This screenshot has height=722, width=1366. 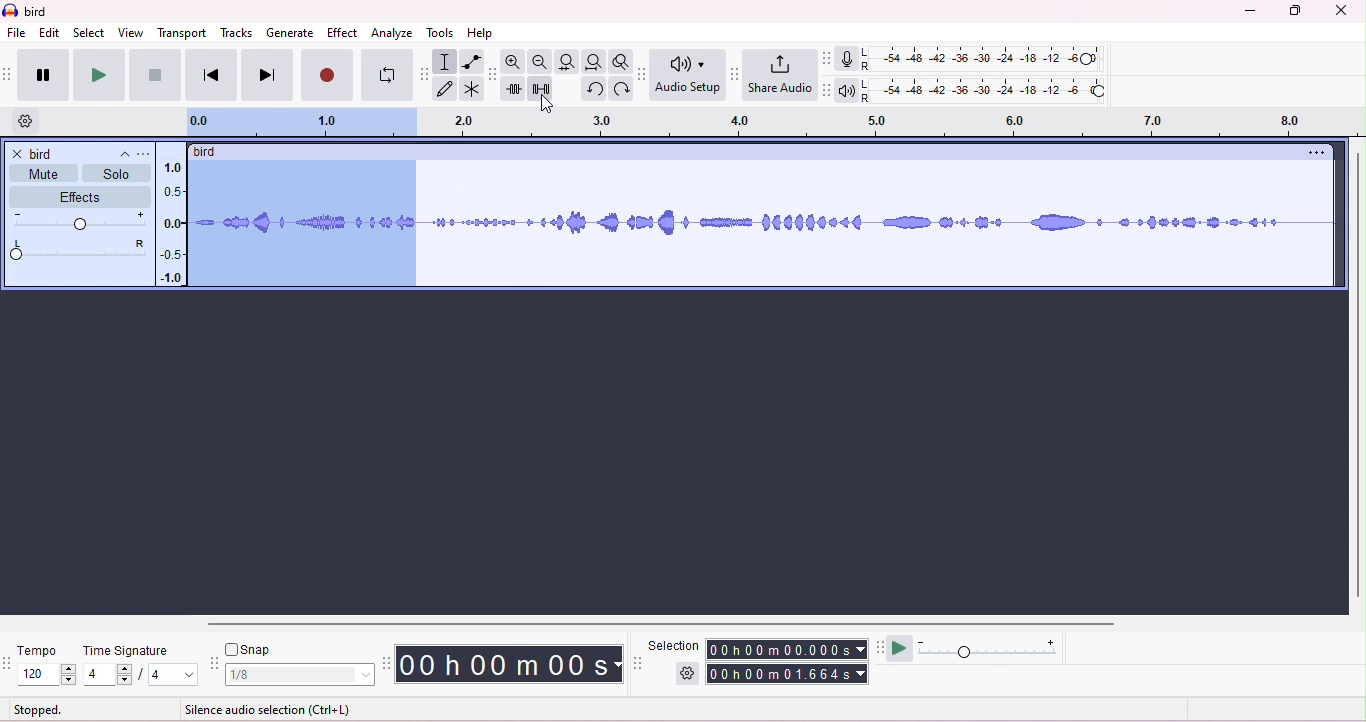 I want to click on options, so click(x=1313, y=154).